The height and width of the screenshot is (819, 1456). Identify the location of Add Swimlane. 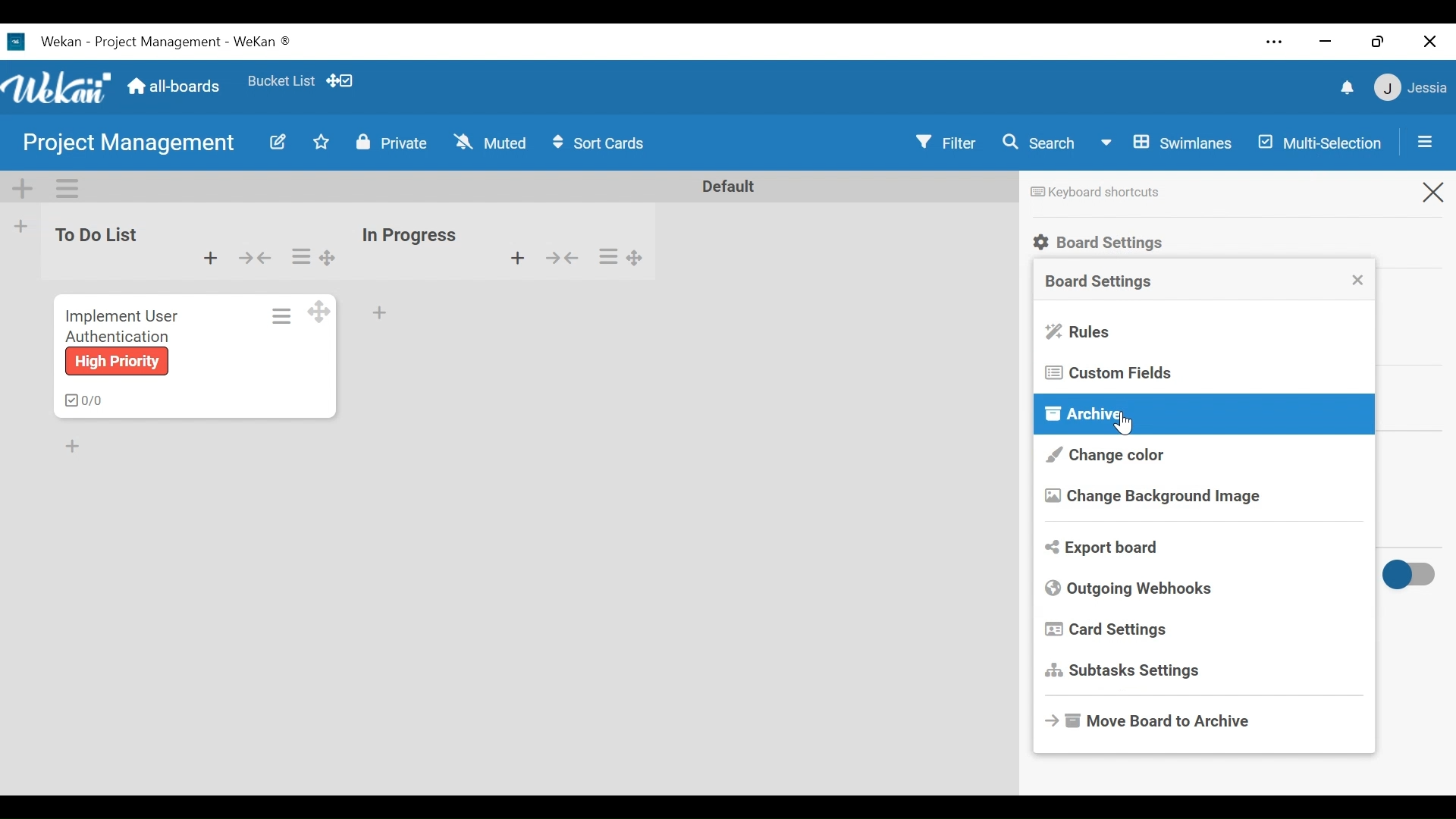
(24, 187).